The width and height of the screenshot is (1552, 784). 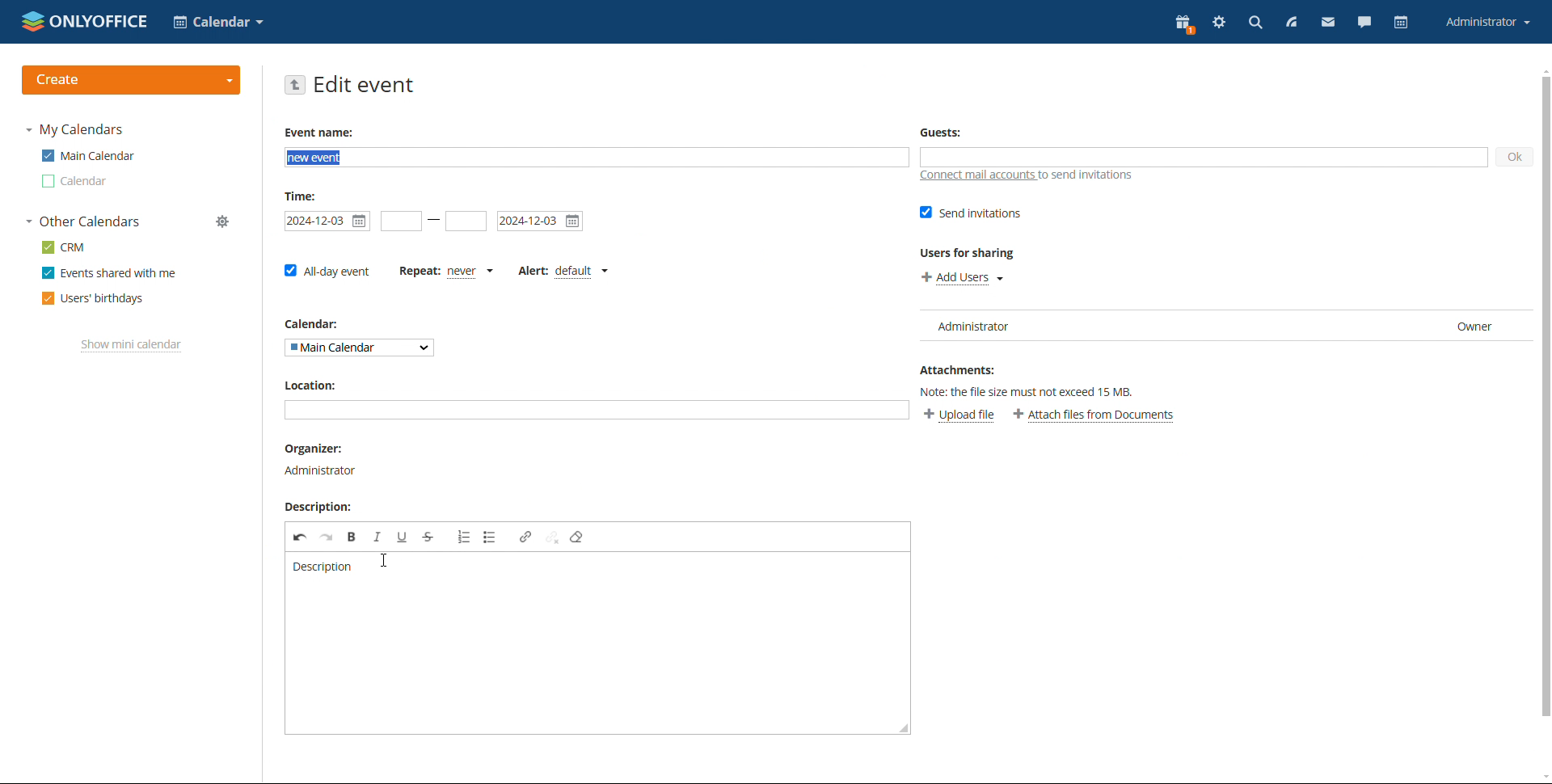 What do you see at coordinates (1542, 778) in the screenshot?
I see `scroll down` at bounding box center [1542, 778].